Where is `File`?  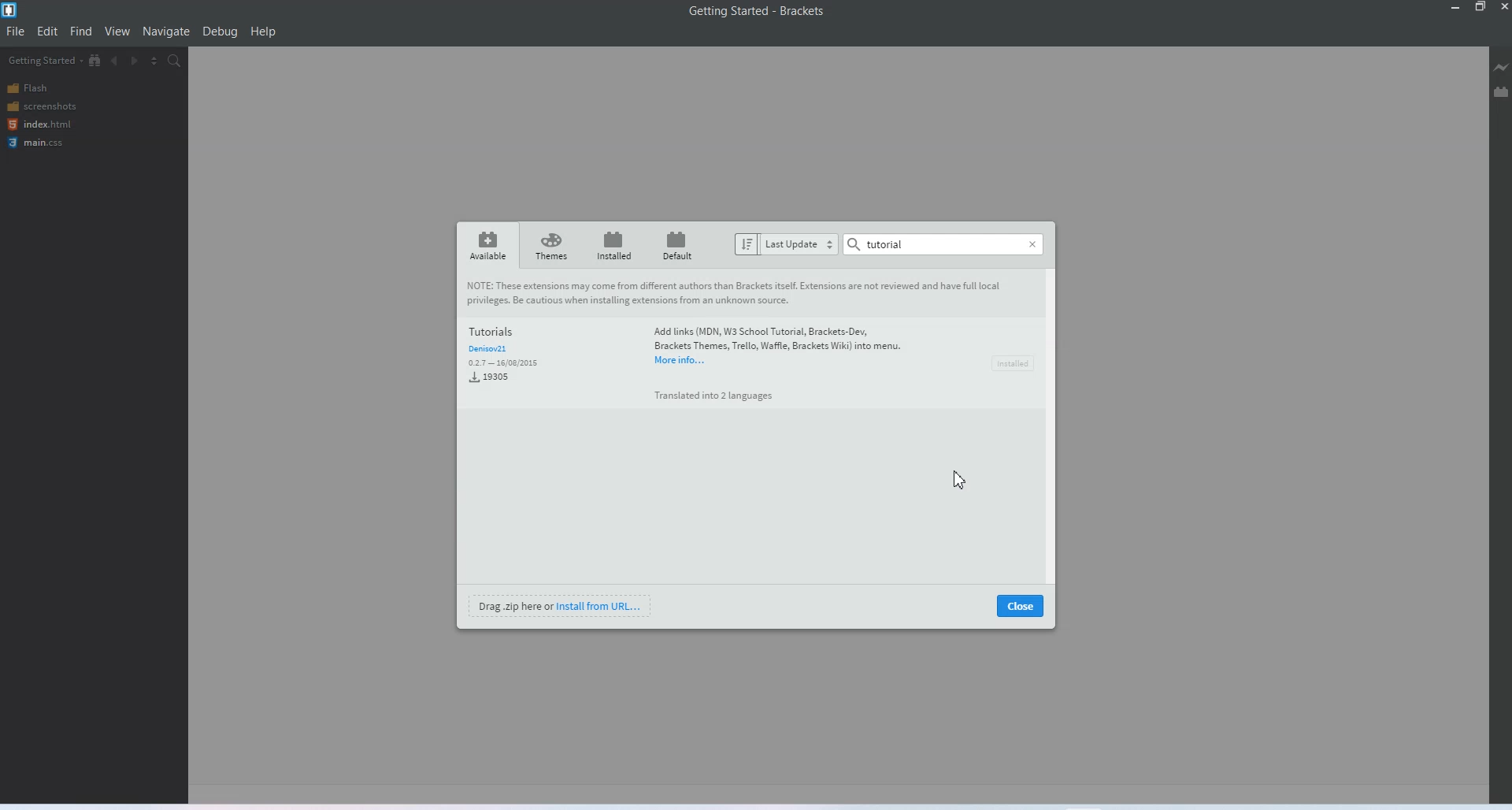
File is located at coordinates (16, 31).